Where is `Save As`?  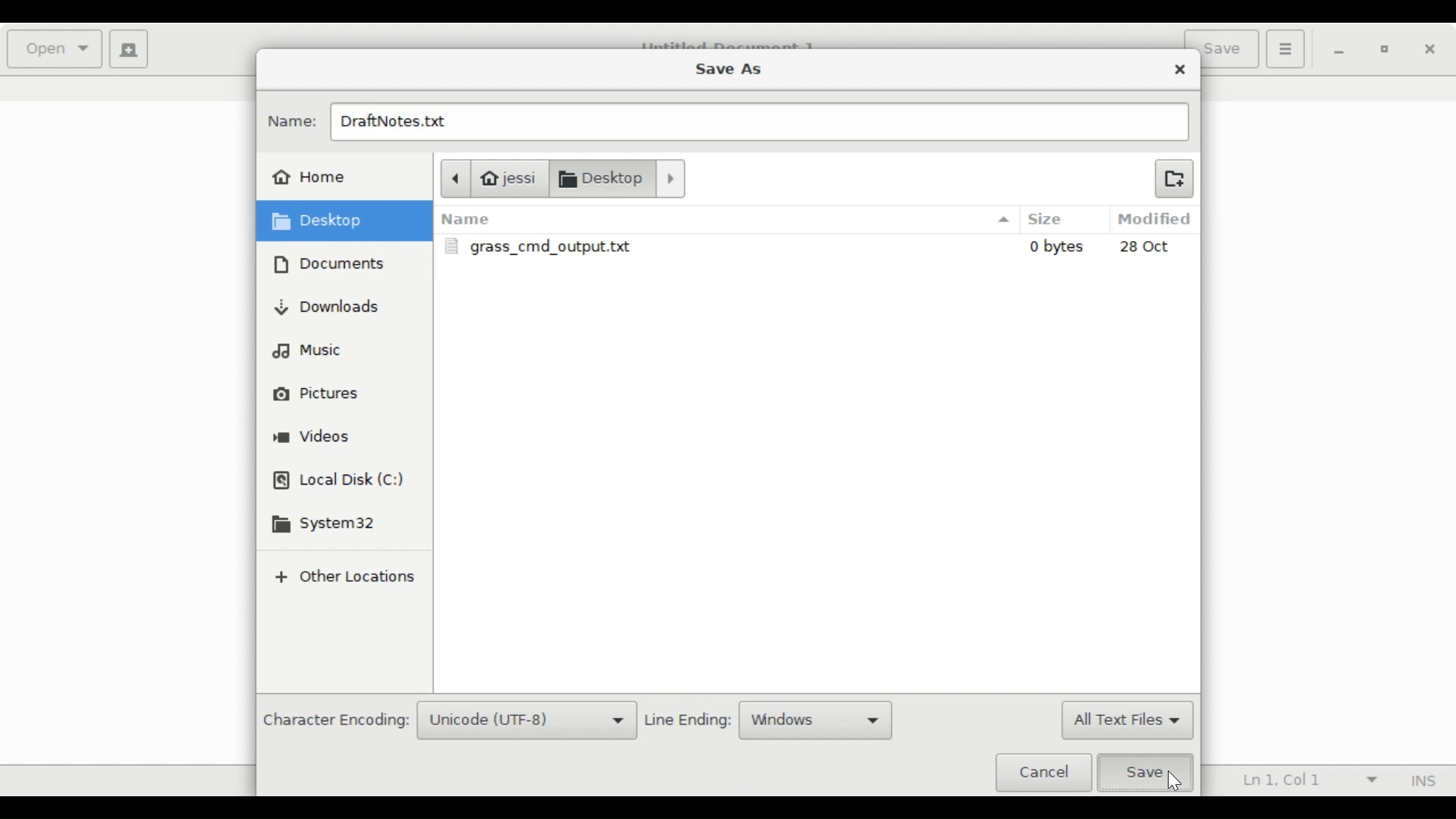 Save As is located at coordinates (727, 67).